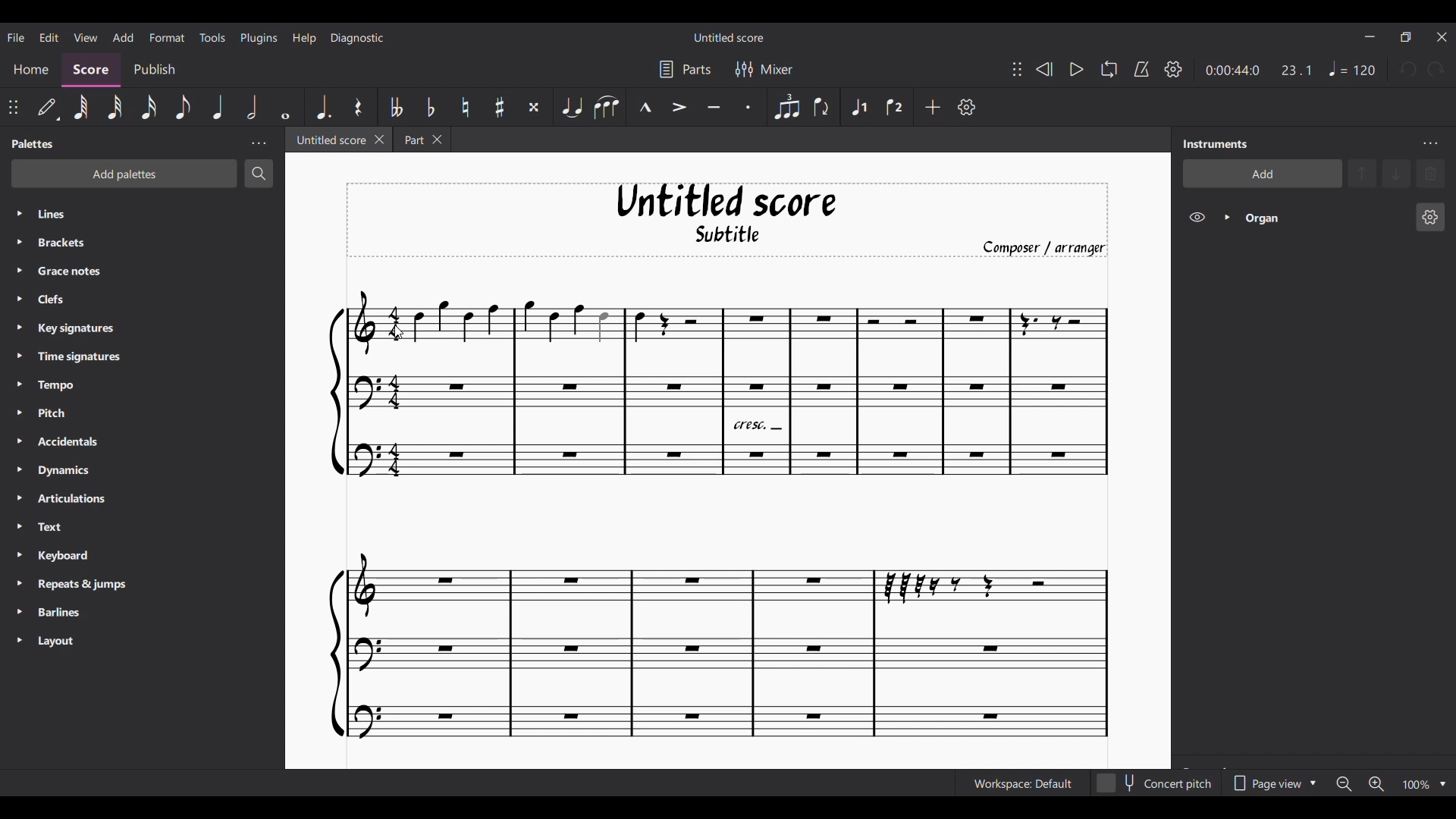  Describe the element at coordinates (212, 37) in the screenshot. I see `Tools menu` at that location.